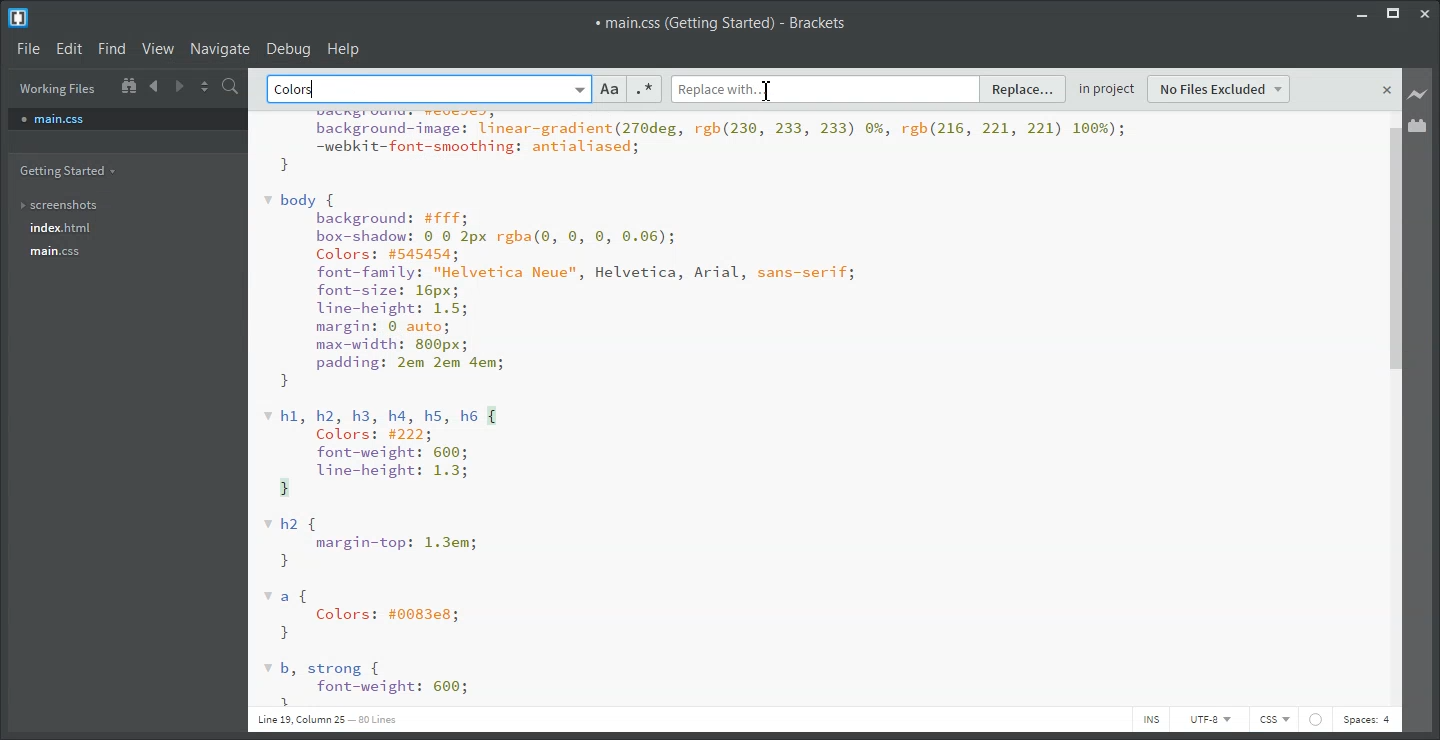  What do you see at coordinates (1220, 89) in the screenshot?
I see `No Files Excluded` at bounding box center [1220, 89].